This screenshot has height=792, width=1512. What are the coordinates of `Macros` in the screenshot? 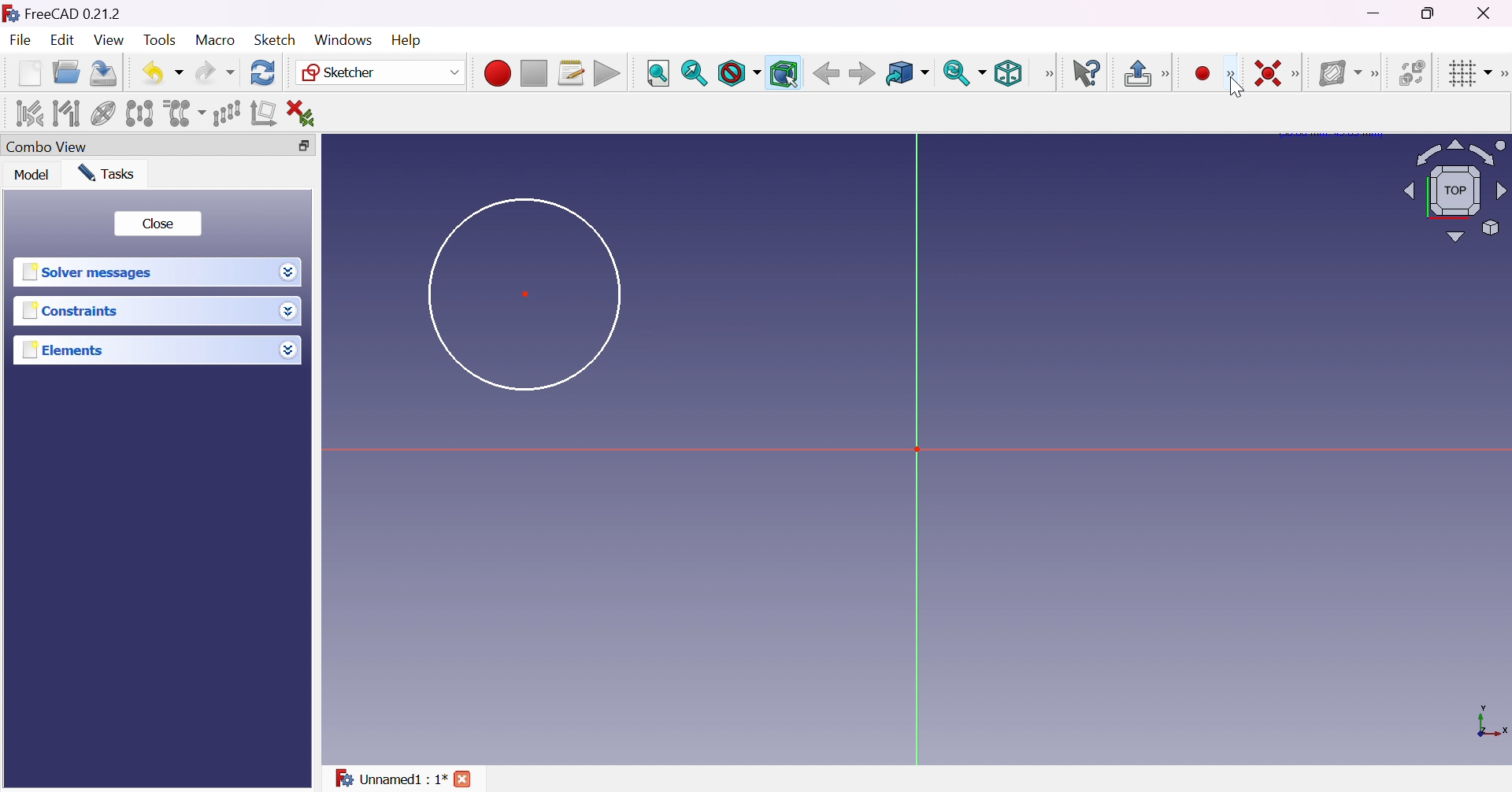 It's located at (572, 73).